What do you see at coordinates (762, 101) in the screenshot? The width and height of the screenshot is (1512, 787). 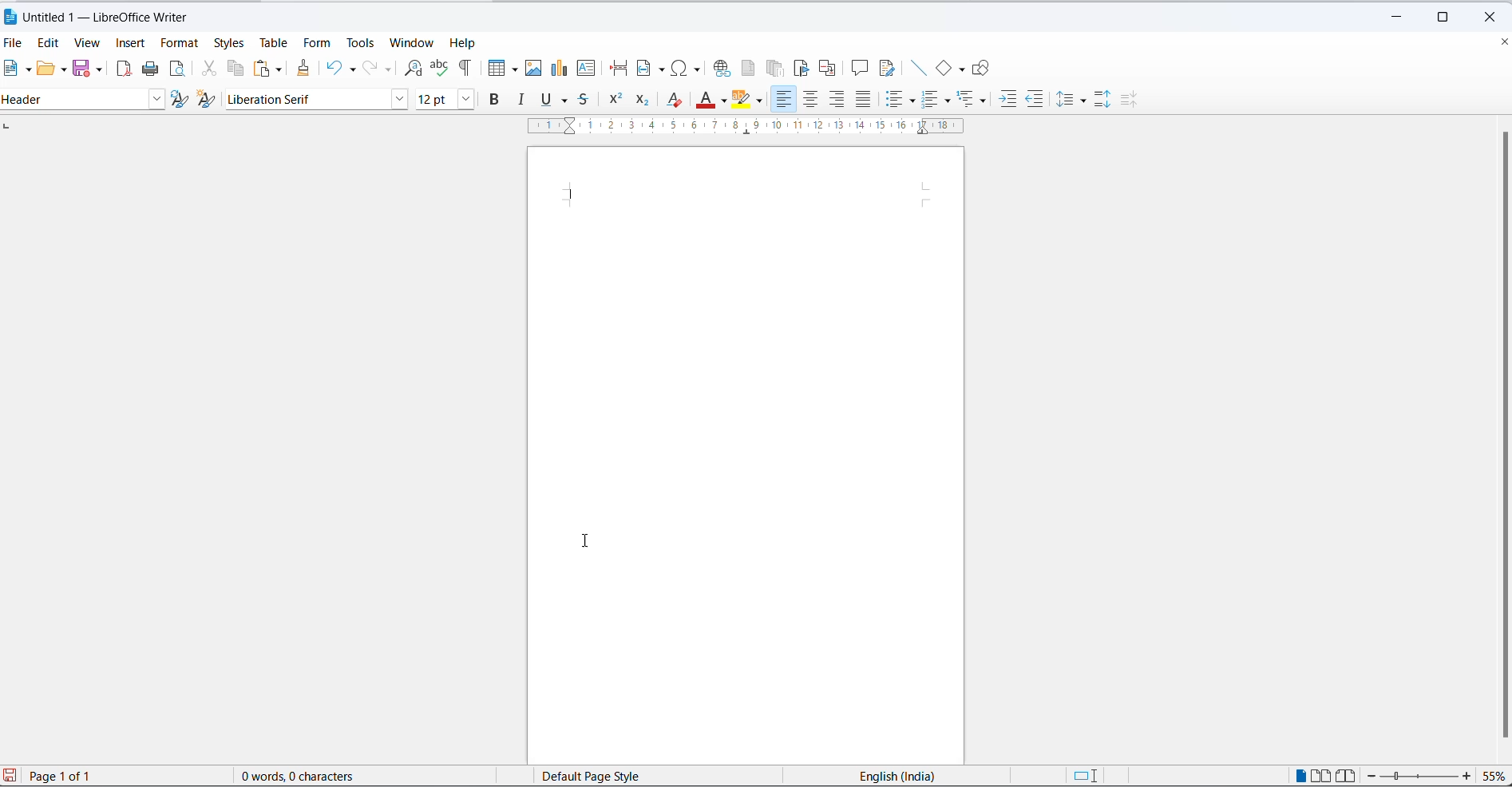 I see `character highlighting options` at bounding box center [762, 101].